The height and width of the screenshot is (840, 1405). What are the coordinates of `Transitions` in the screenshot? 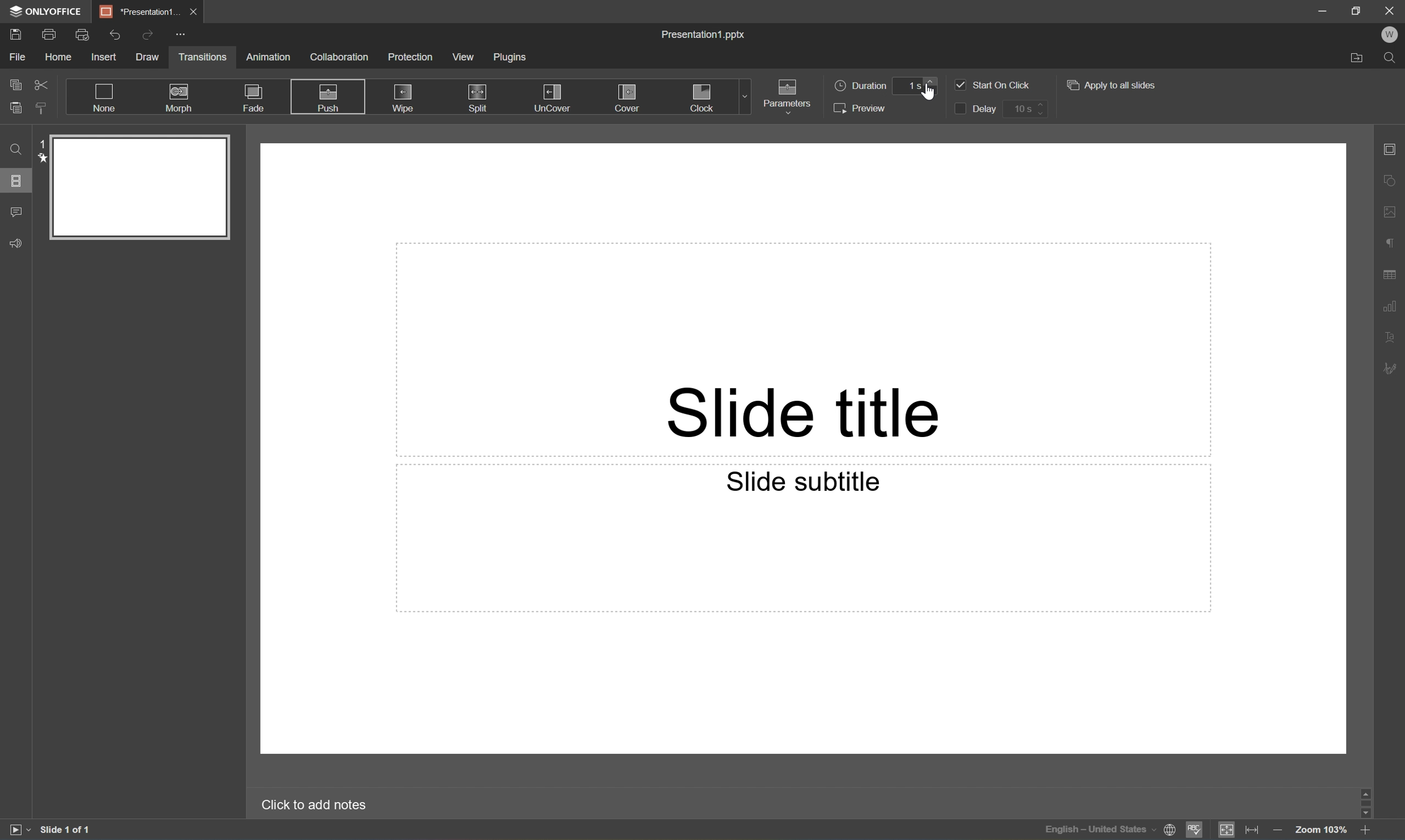 It's located at (204, 57).